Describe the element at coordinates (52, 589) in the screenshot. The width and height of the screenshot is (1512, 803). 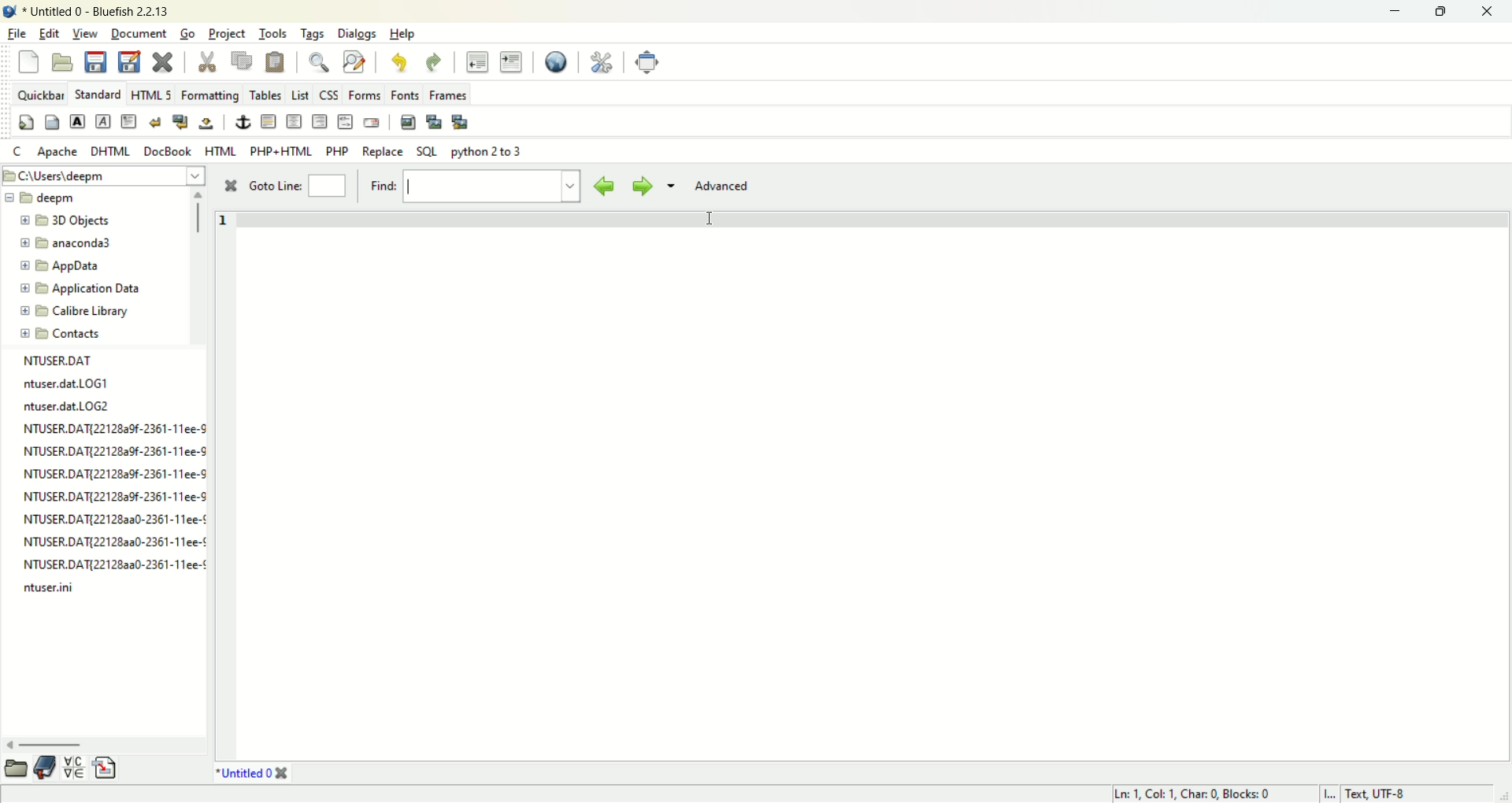
I see `ntuser.ini` at that location.